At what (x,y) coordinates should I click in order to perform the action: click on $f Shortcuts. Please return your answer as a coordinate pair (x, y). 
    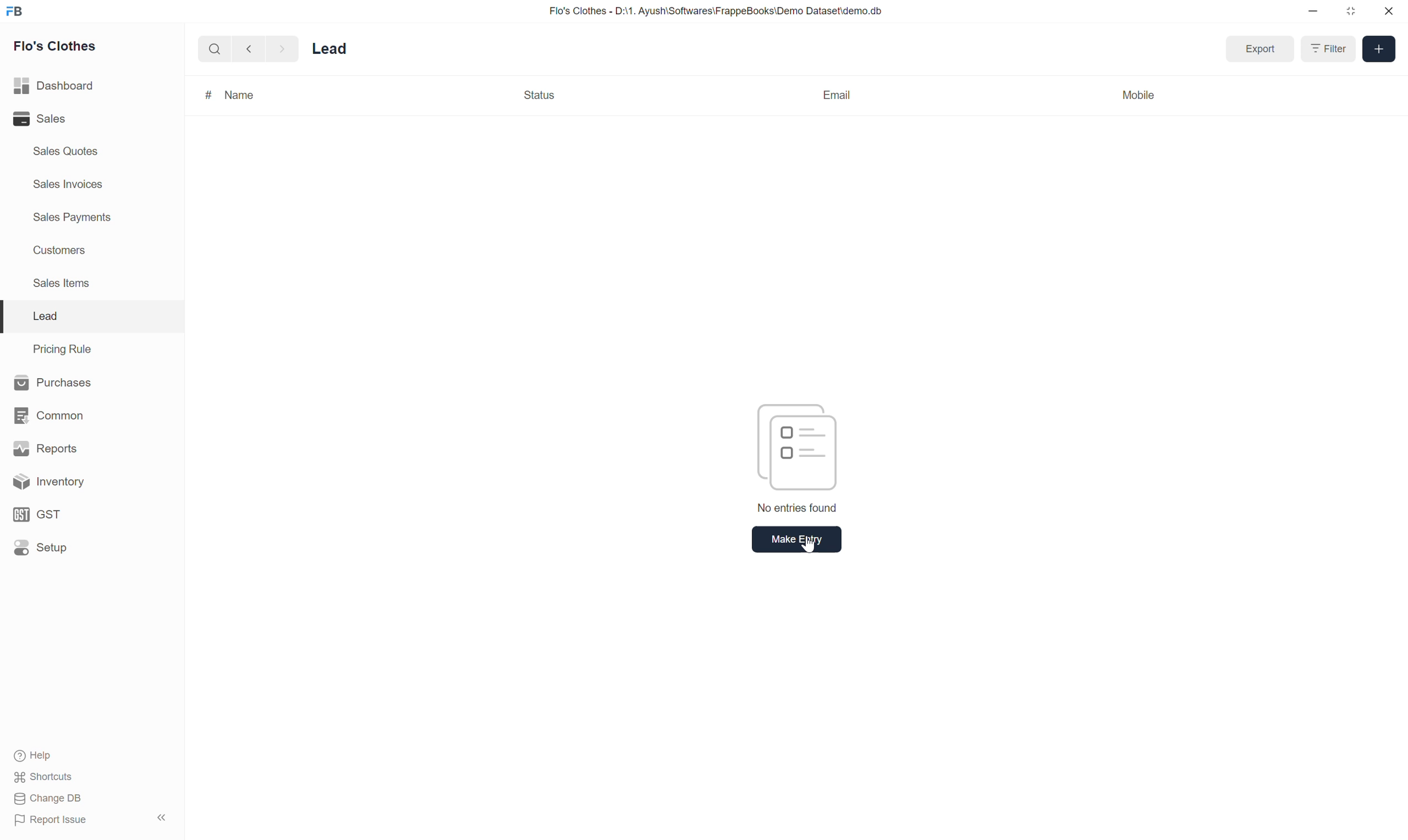
    Looking at the image, I should click on (45, 775).